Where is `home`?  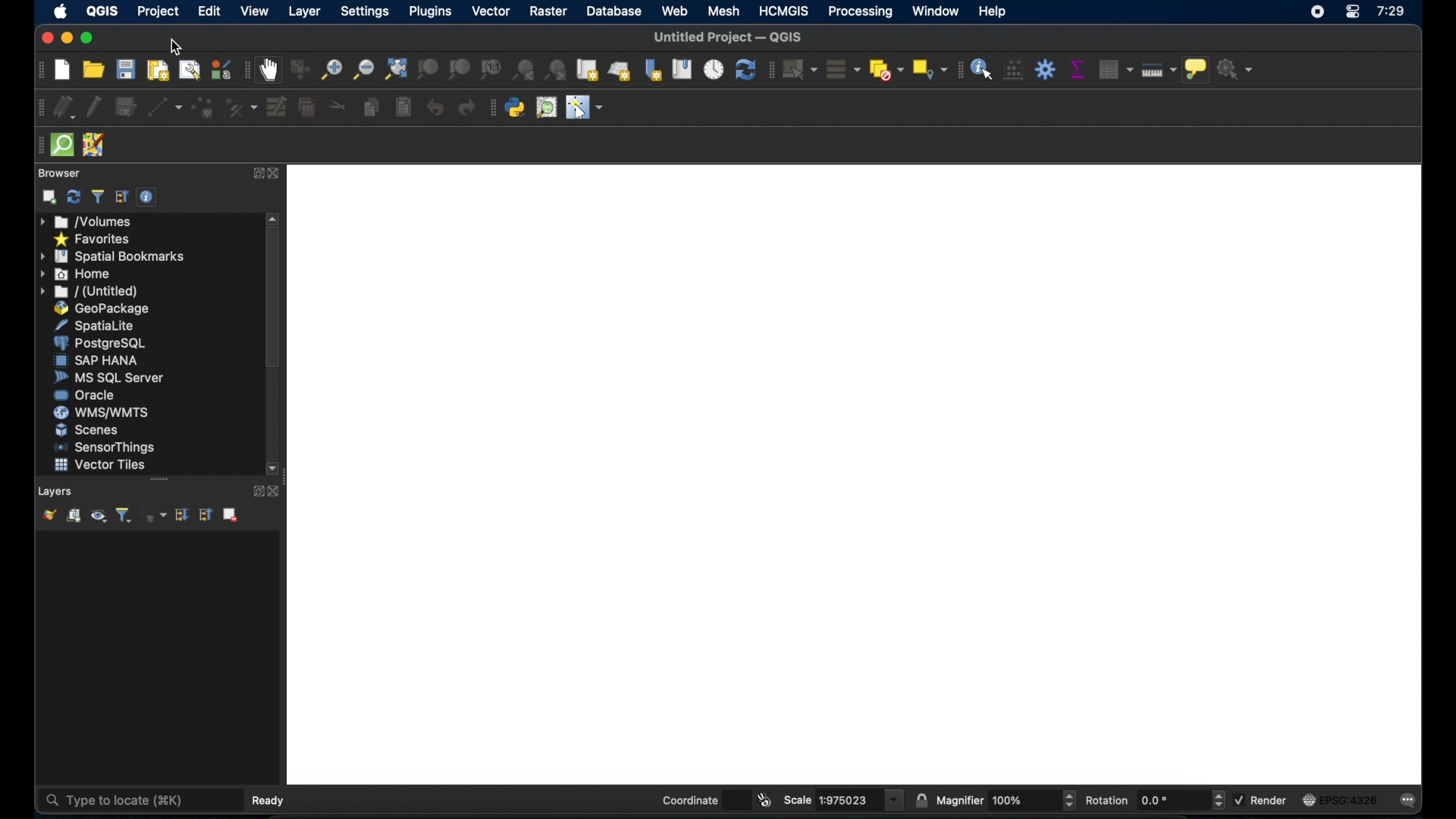 home is located at coordinates (78, 274).